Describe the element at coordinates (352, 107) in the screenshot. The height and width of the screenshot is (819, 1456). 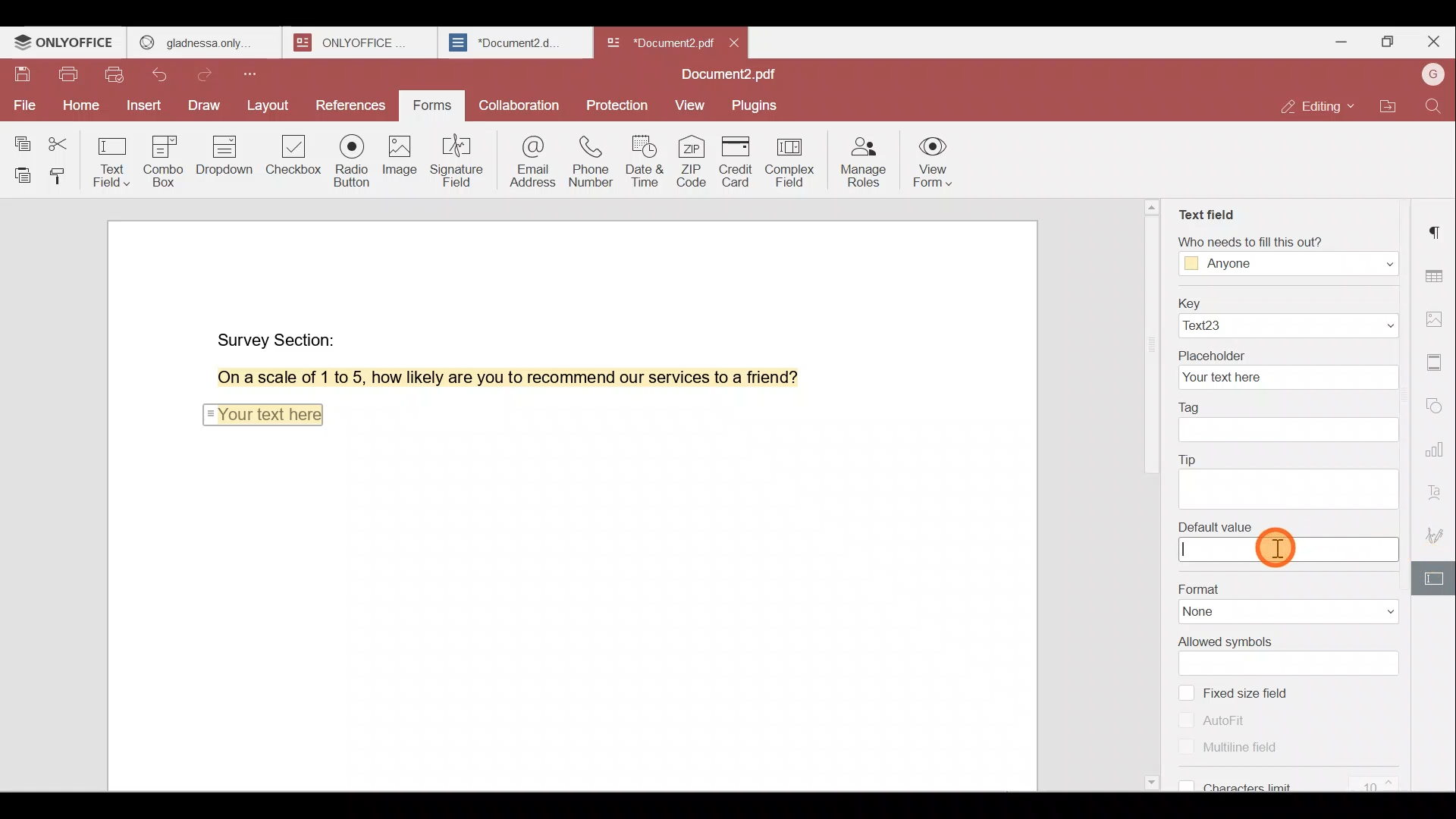
I see `References` at that location.